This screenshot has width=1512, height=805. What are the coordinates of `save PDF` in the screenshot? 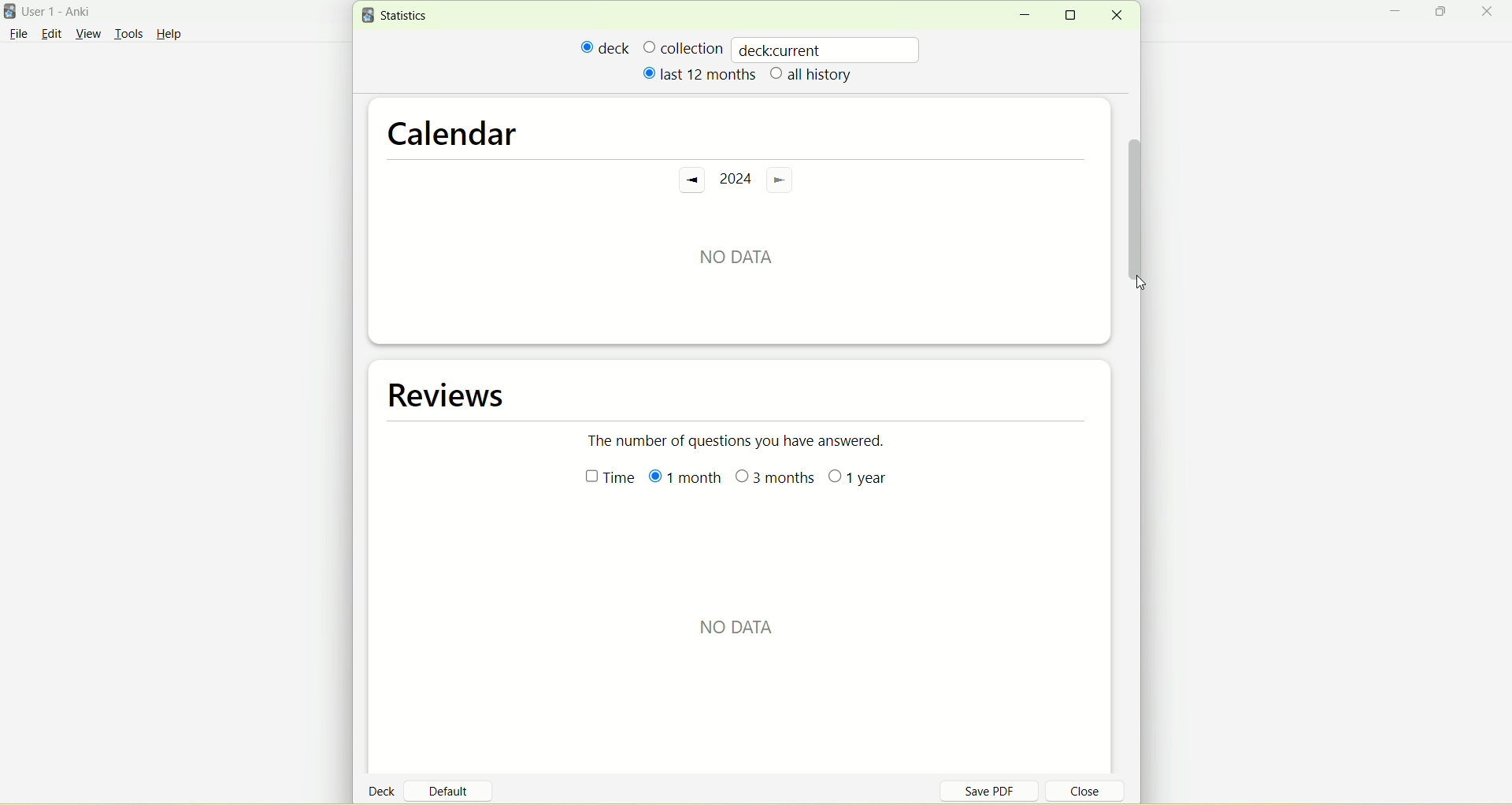 It's located at (999, 790).